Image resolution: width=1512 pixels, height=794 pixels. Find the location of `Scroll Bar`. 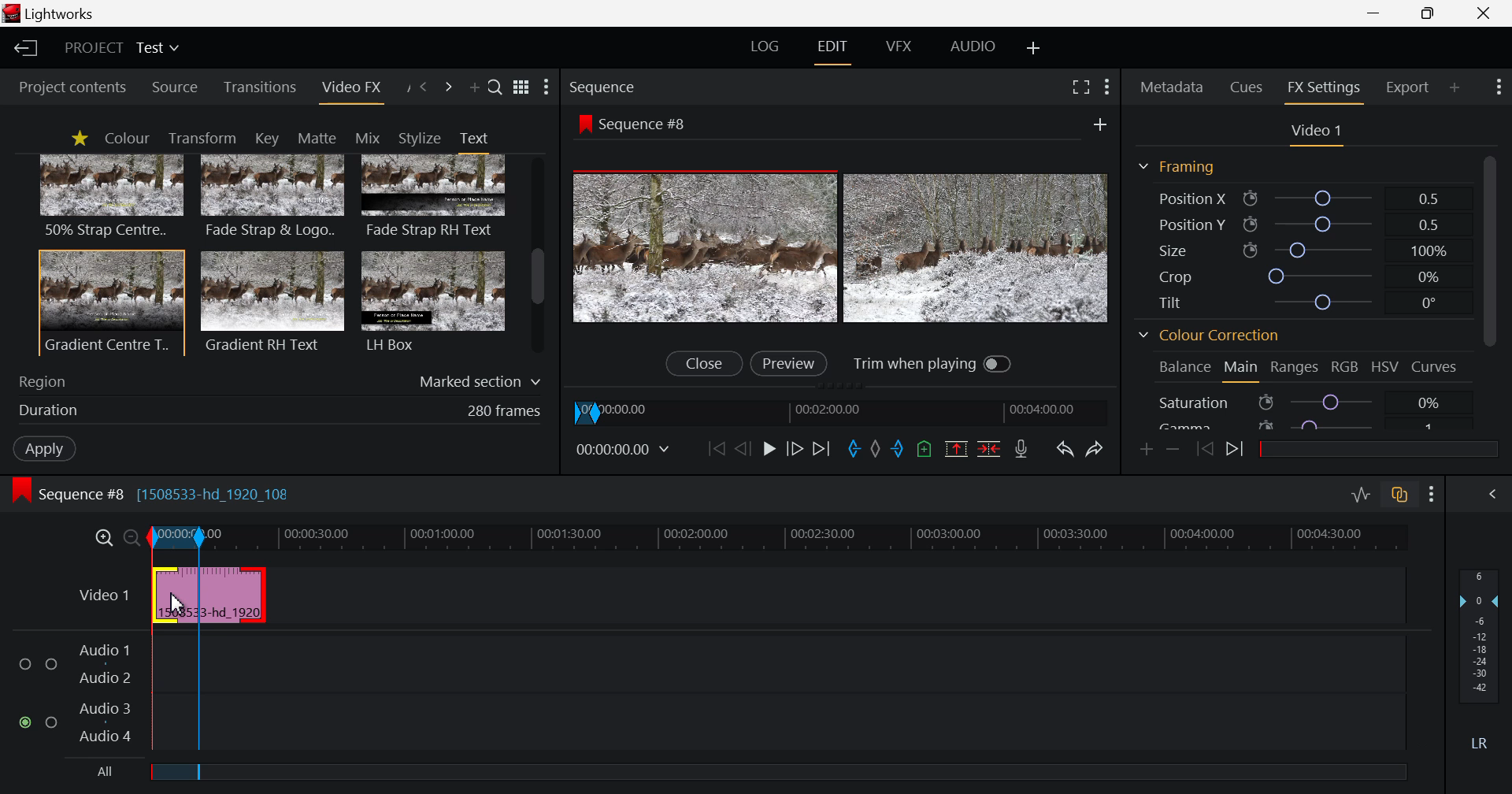

Scroll Bar is located at coordinates (1489, 288).